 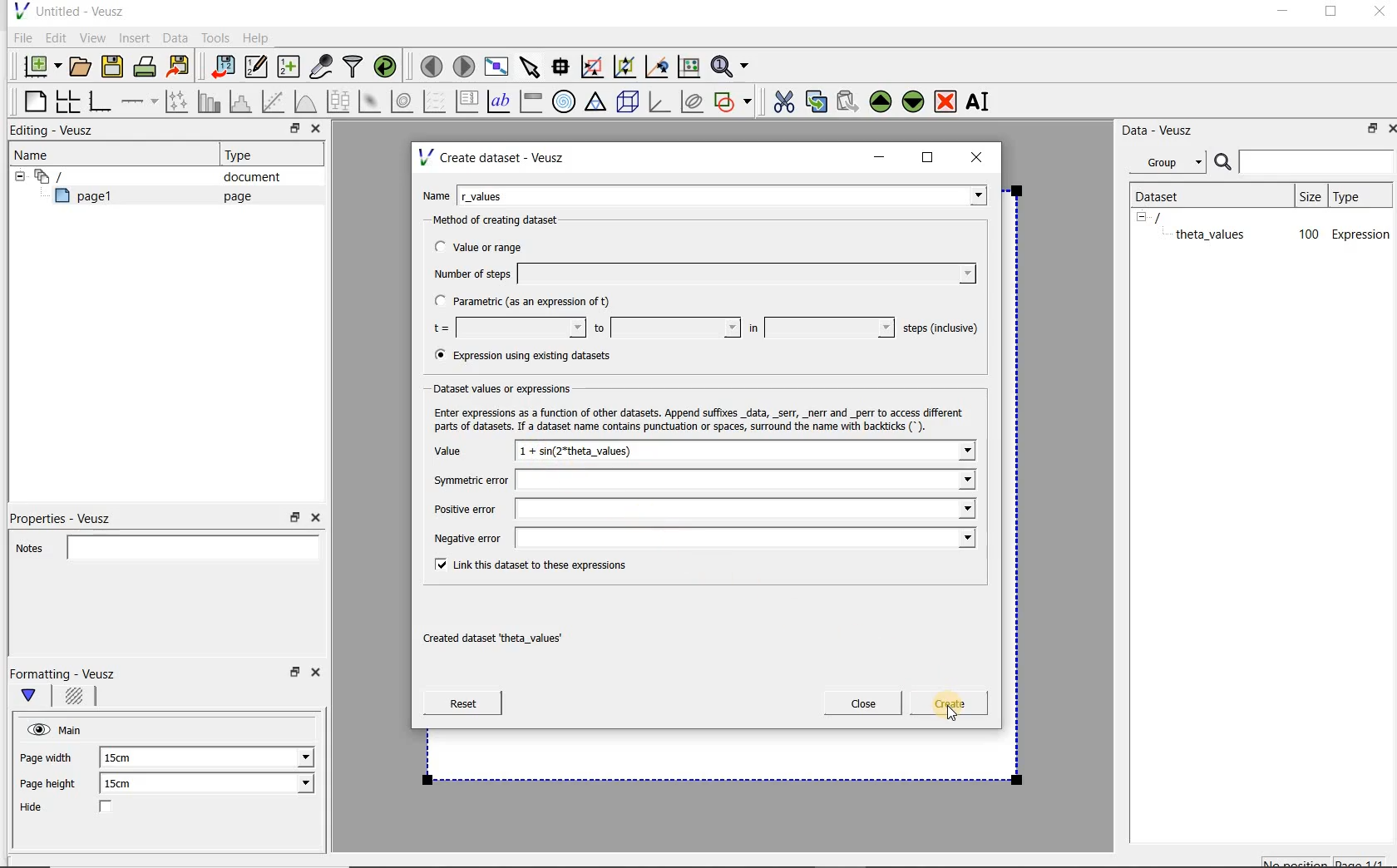 I want to click on Page width, so click(x=47, y=755).